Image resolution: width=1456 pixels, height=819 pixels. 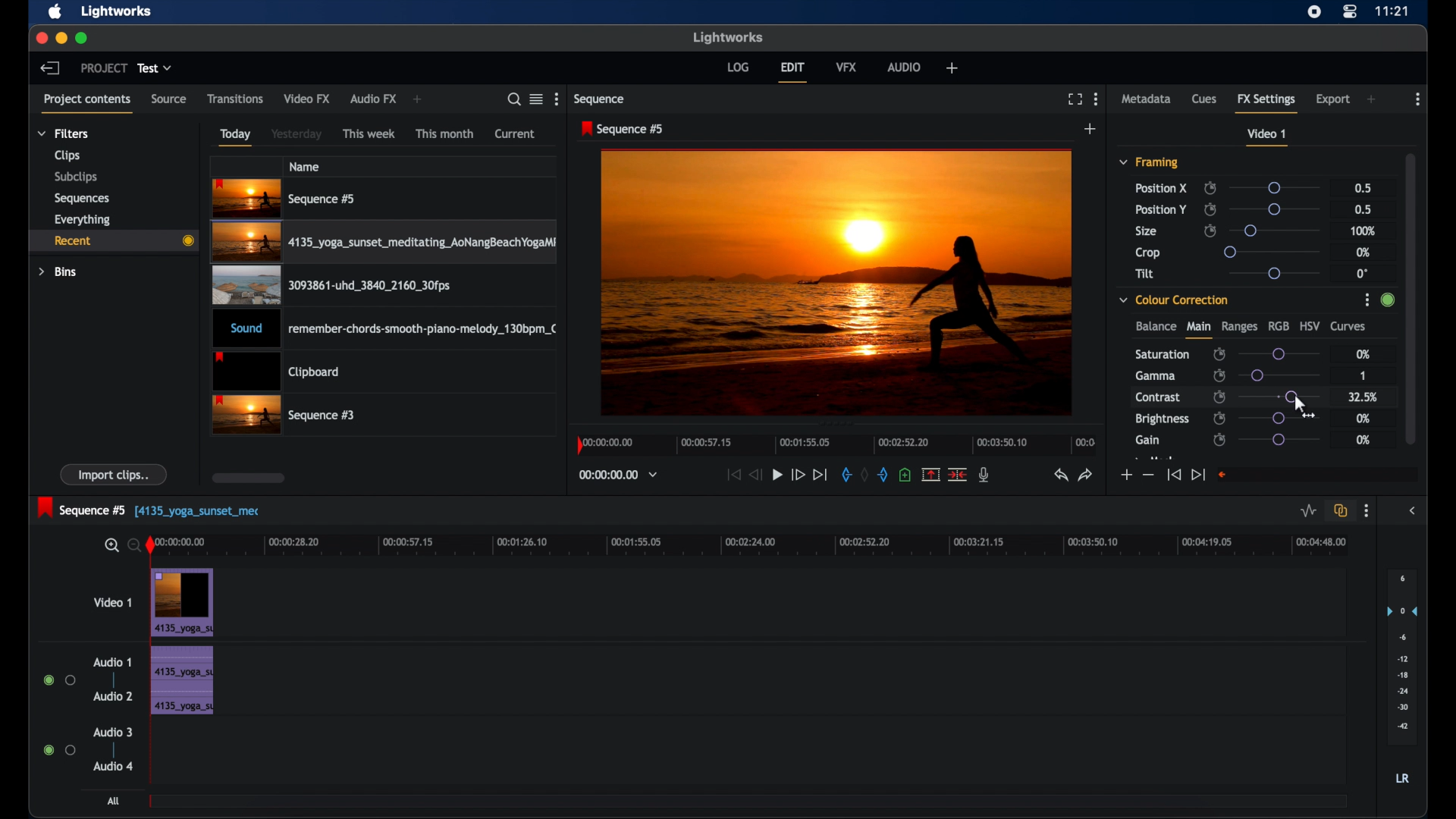 I want to click on gamma, so click(x=1156, y=375).